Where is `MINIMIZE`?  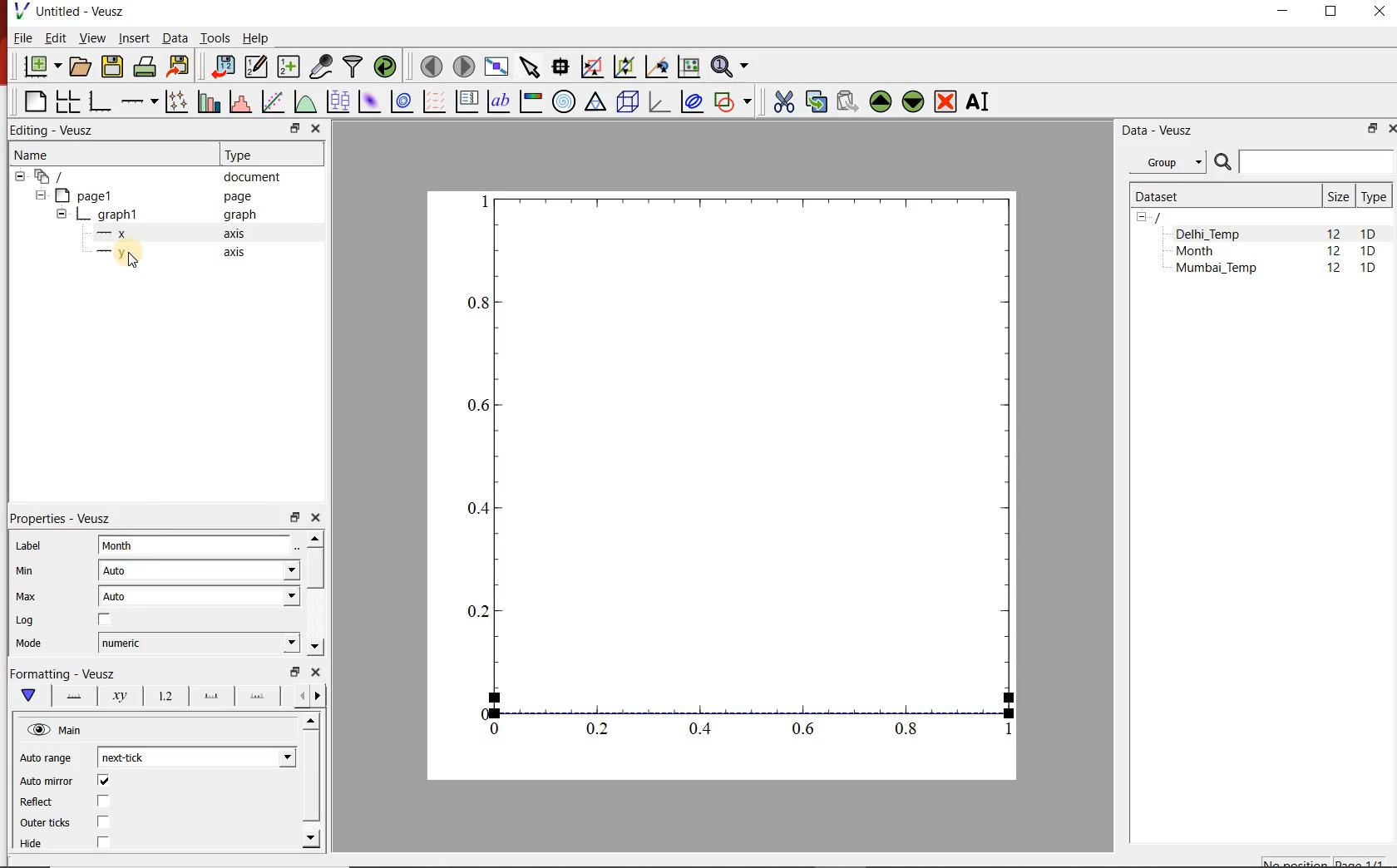
MINIMIZE is located at coordinates (1284, 12).